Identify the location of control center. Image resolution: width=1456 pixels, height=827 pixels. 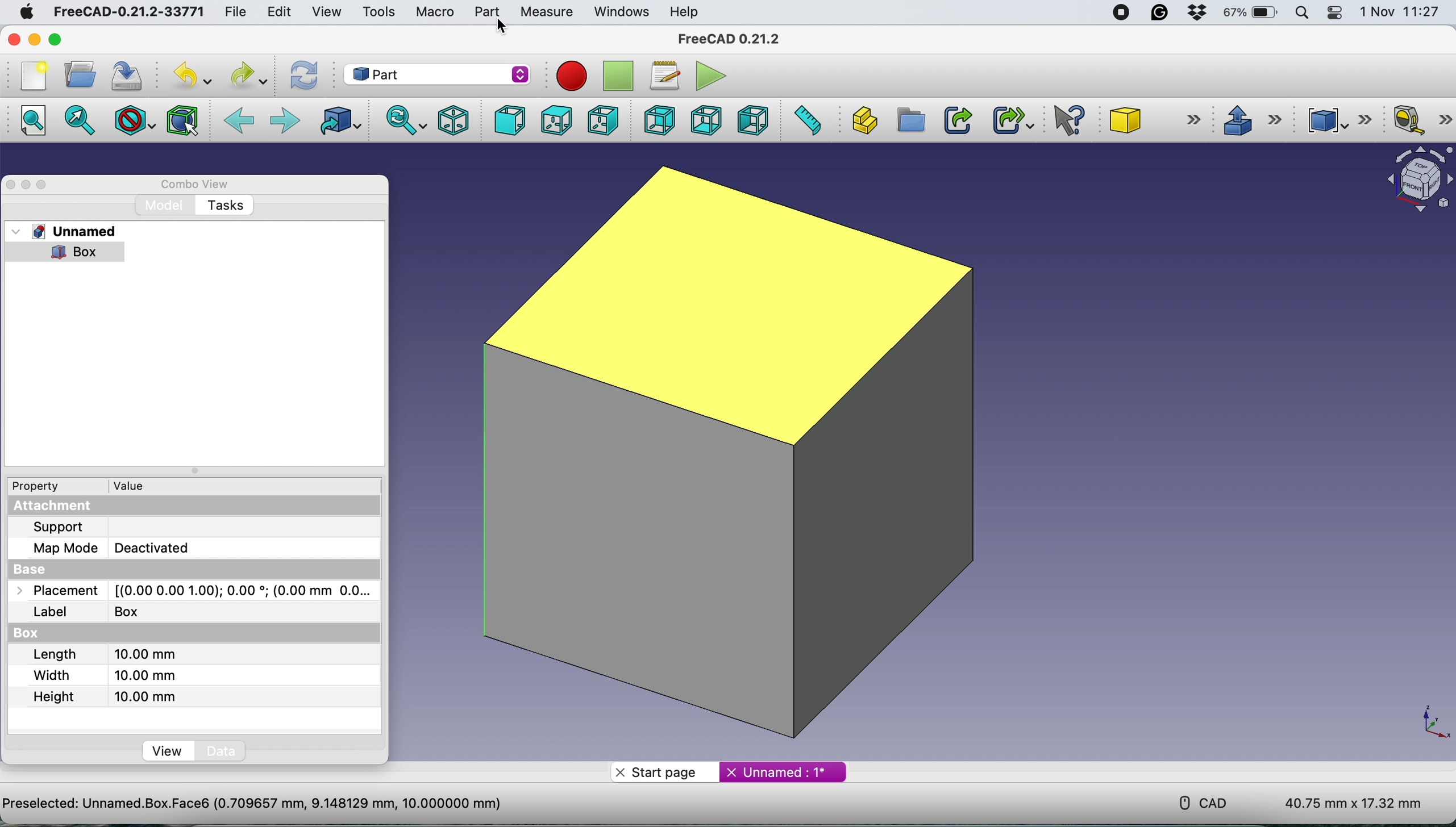
(1336, 14).